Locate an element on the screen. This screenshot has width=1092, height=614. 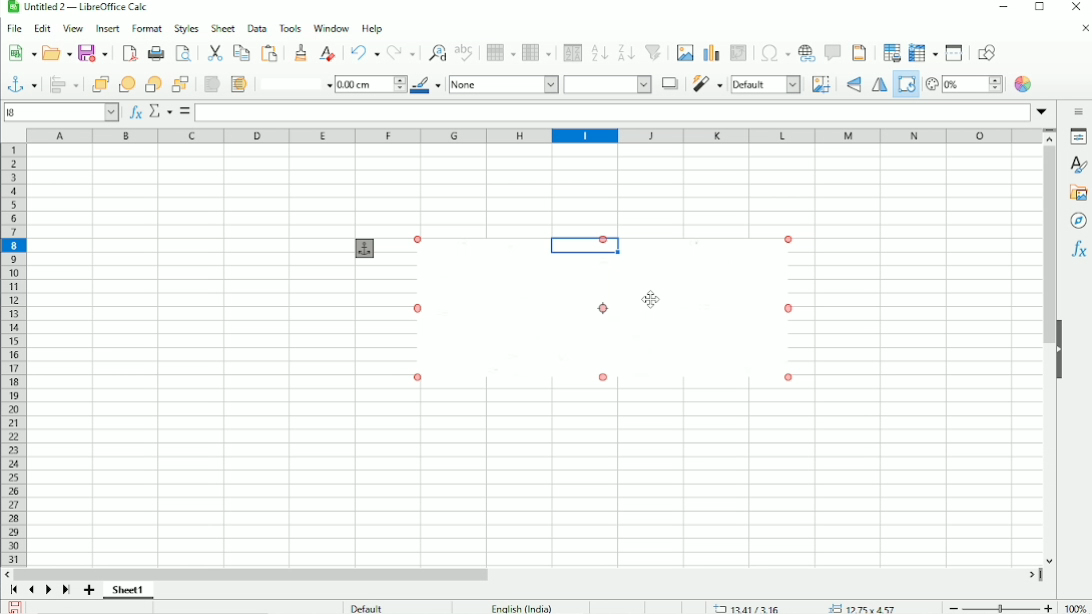
Column is located at coordinates (536, 52).